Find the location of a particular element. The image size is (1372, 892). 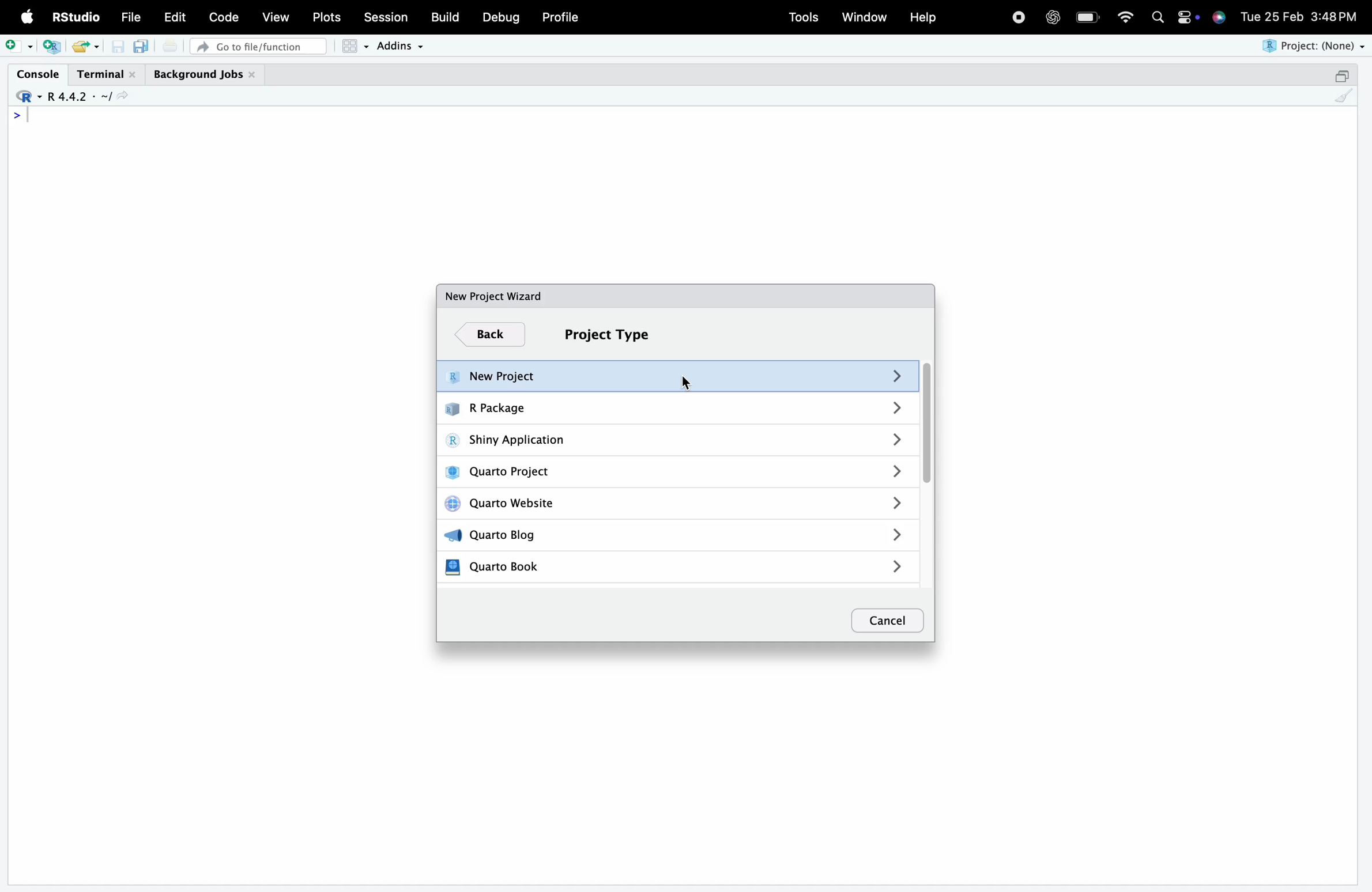

open recent files is located at coordinates (96, 47).